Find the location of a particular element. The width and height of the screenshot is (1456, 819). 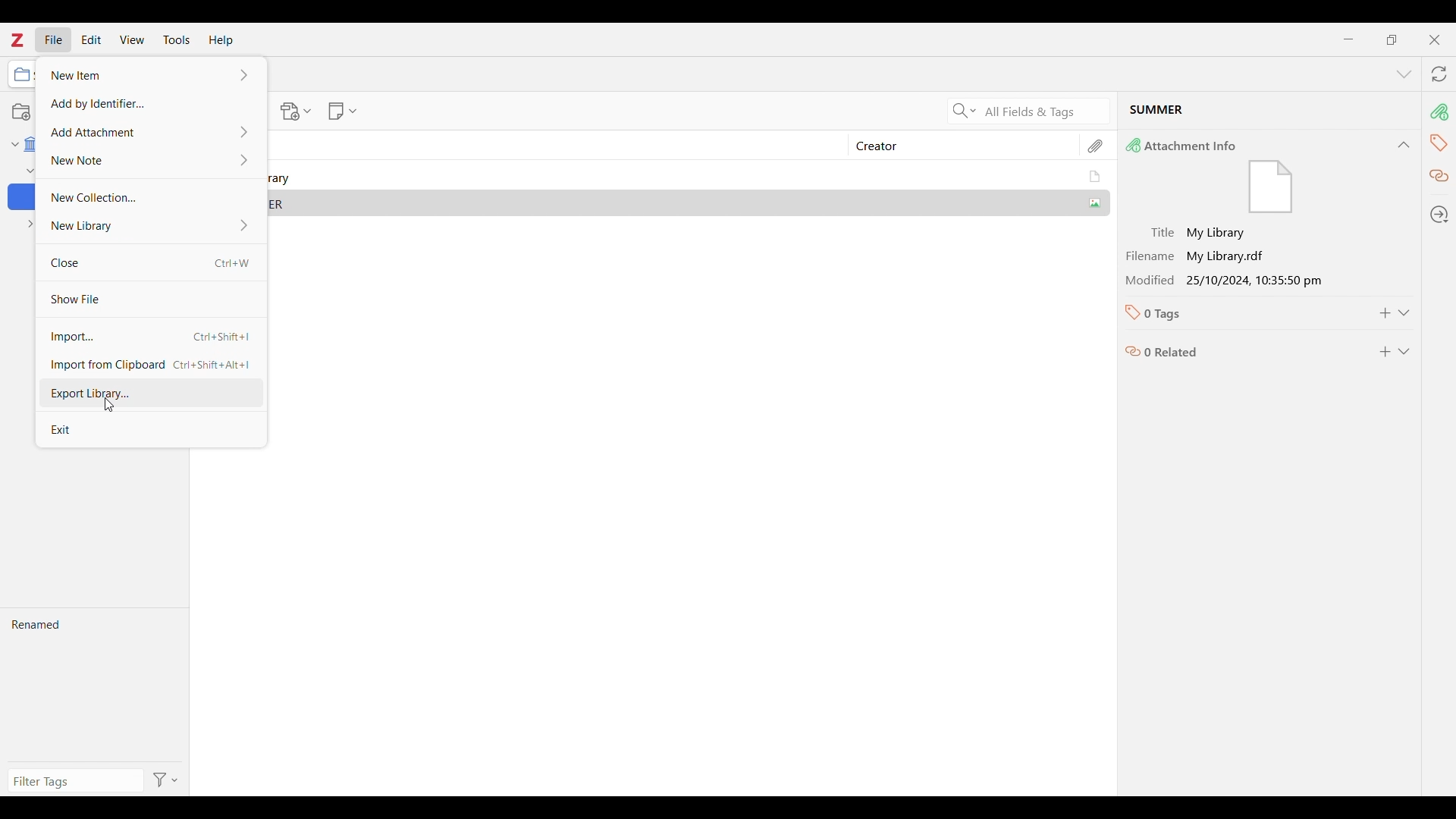

Export library is located at coordinates (148, 394).